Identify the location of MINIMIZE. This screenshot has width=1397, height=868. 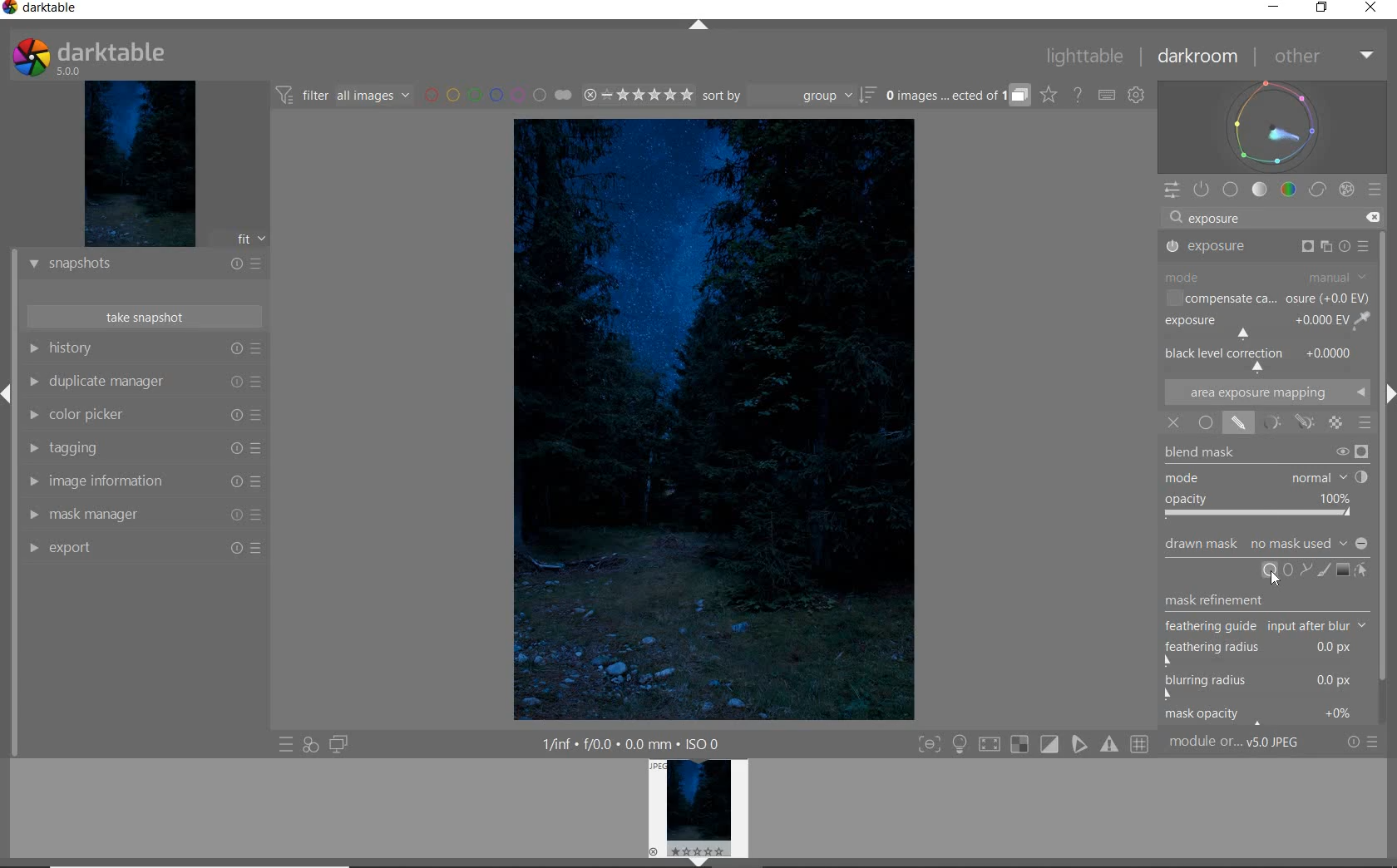
(1275, 7).